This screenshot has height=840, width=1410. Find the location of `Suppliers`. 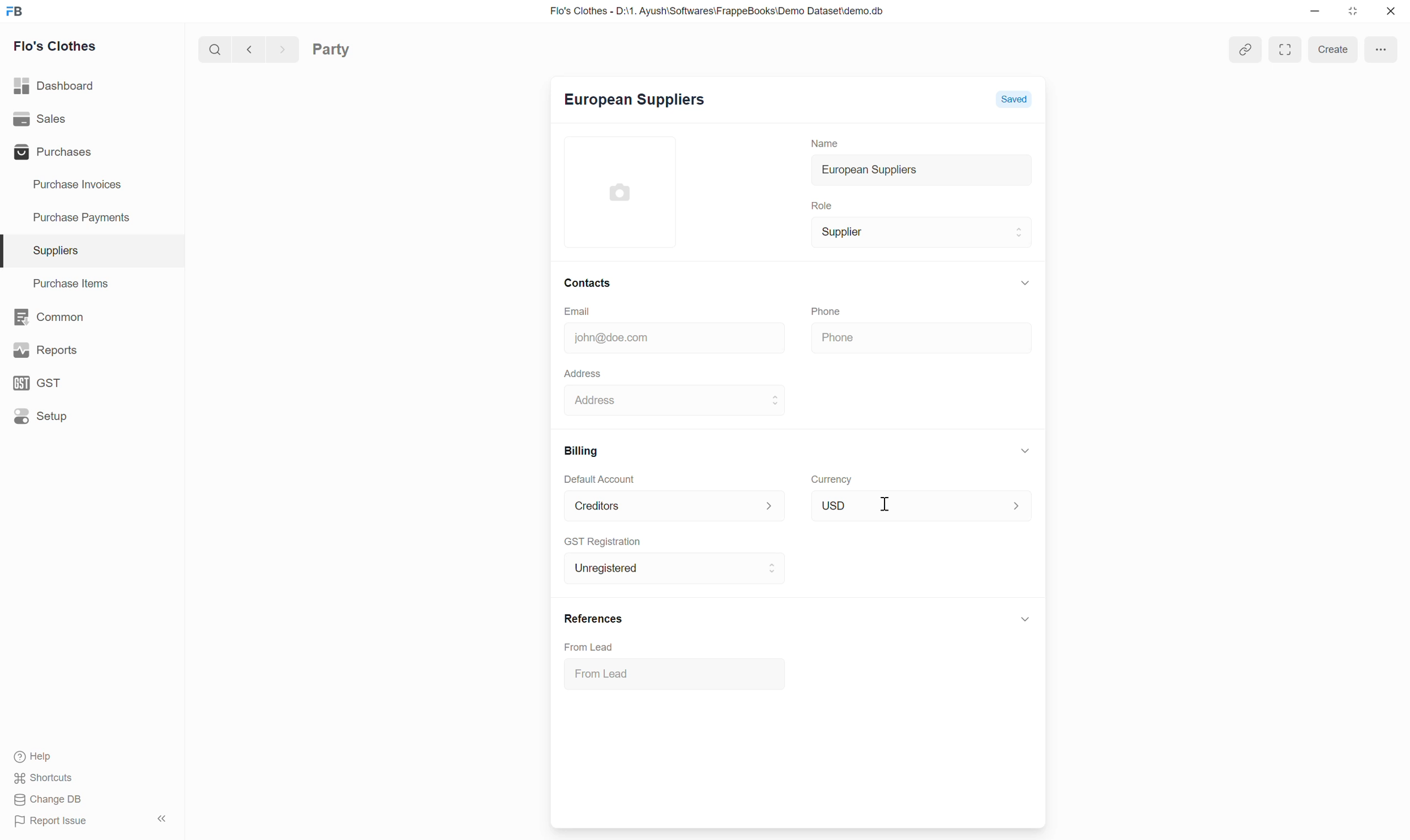

Suppliers is located at coordinates (51, 248).